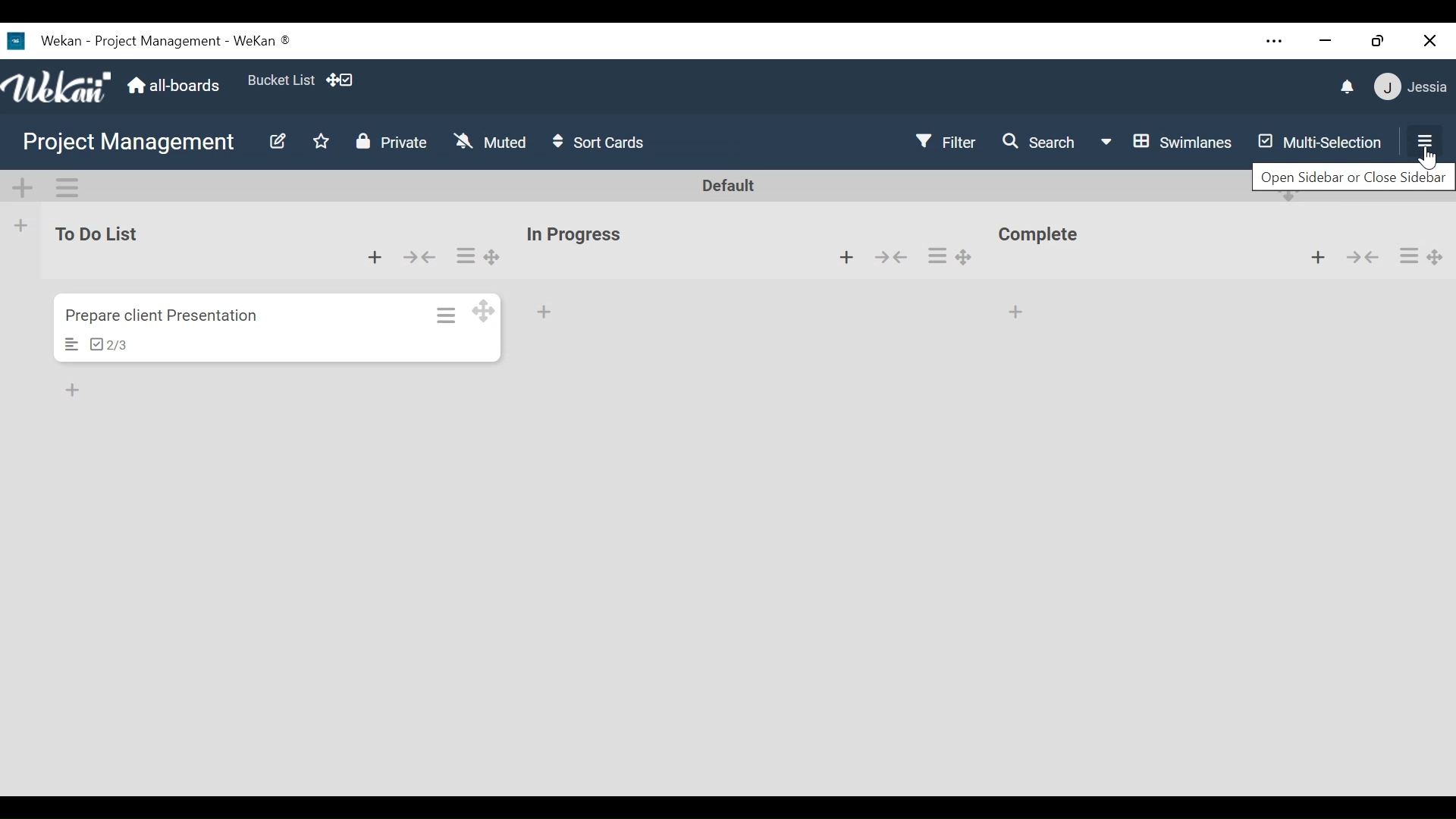 The width and height of the screenshot is (1456, 819). Describe the element at coordinates (1409, 255) in the screenshot. I see `list actions` at that location.